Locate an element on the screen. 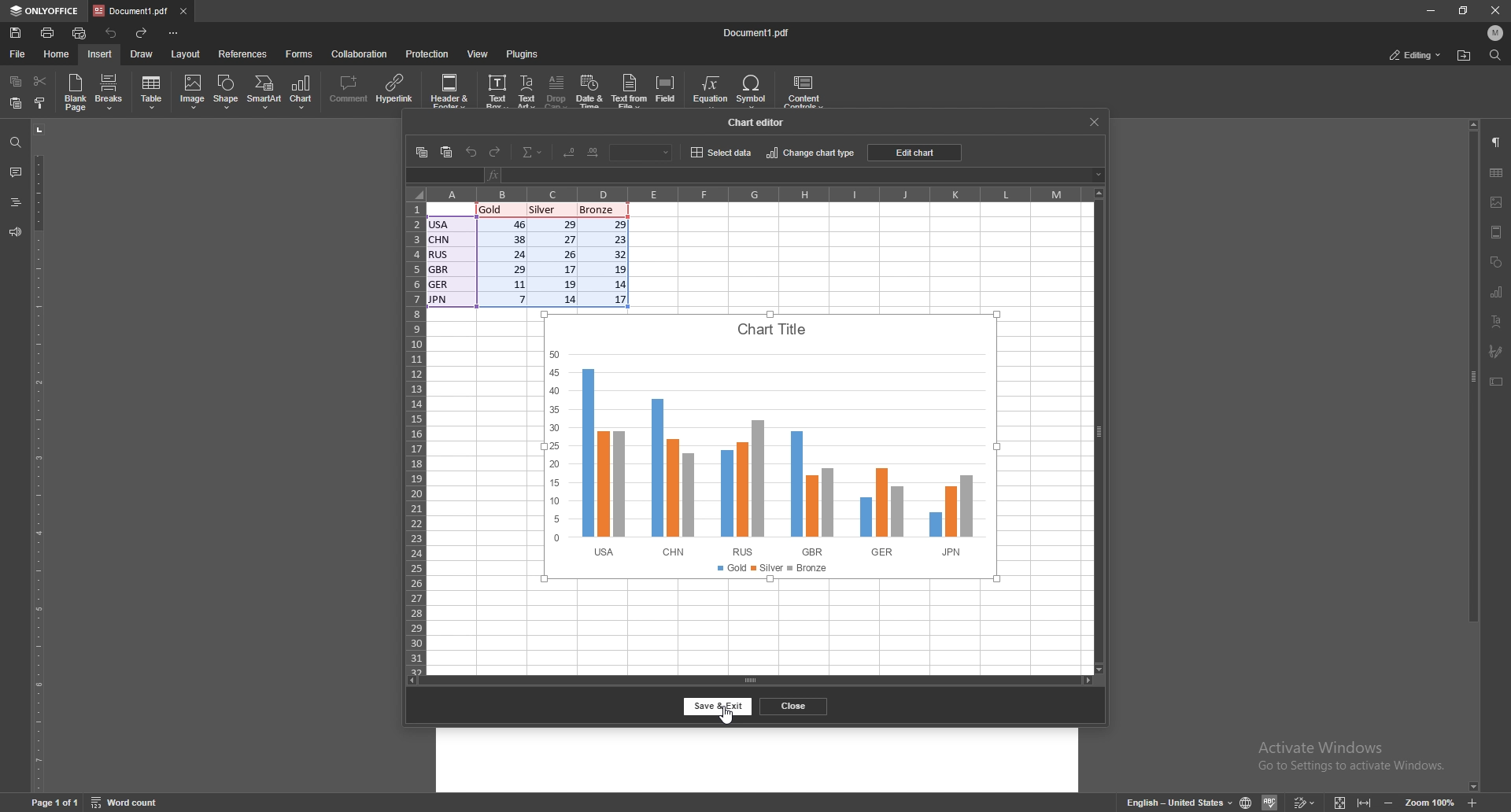 Image resolution: width=1511 pixels, height=812 pixels. tab is located at coordinates (131, 10).